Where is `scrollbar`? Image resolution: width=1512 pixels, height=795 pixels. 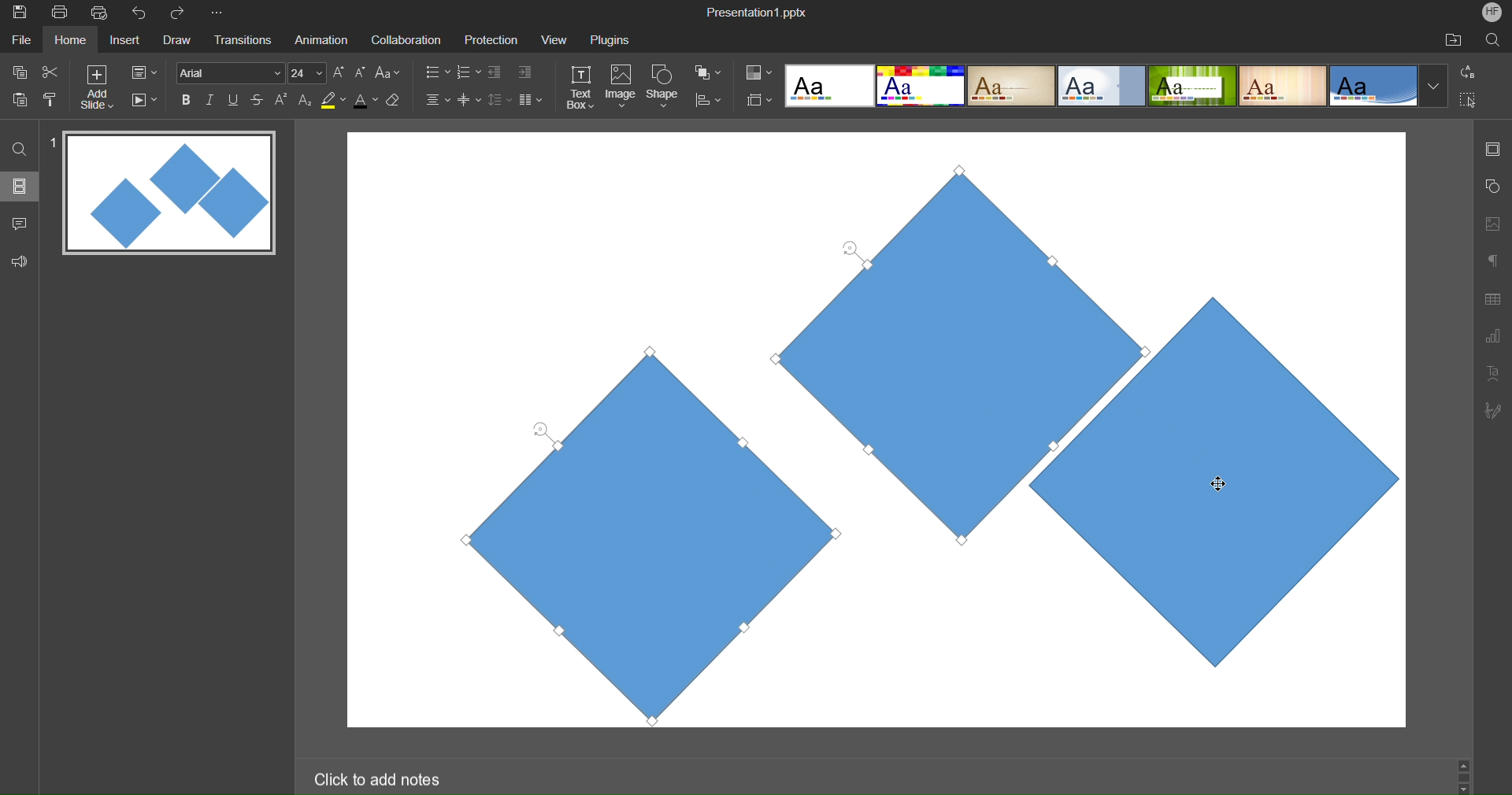 scrollbar is located at coordinates (1463, 775).